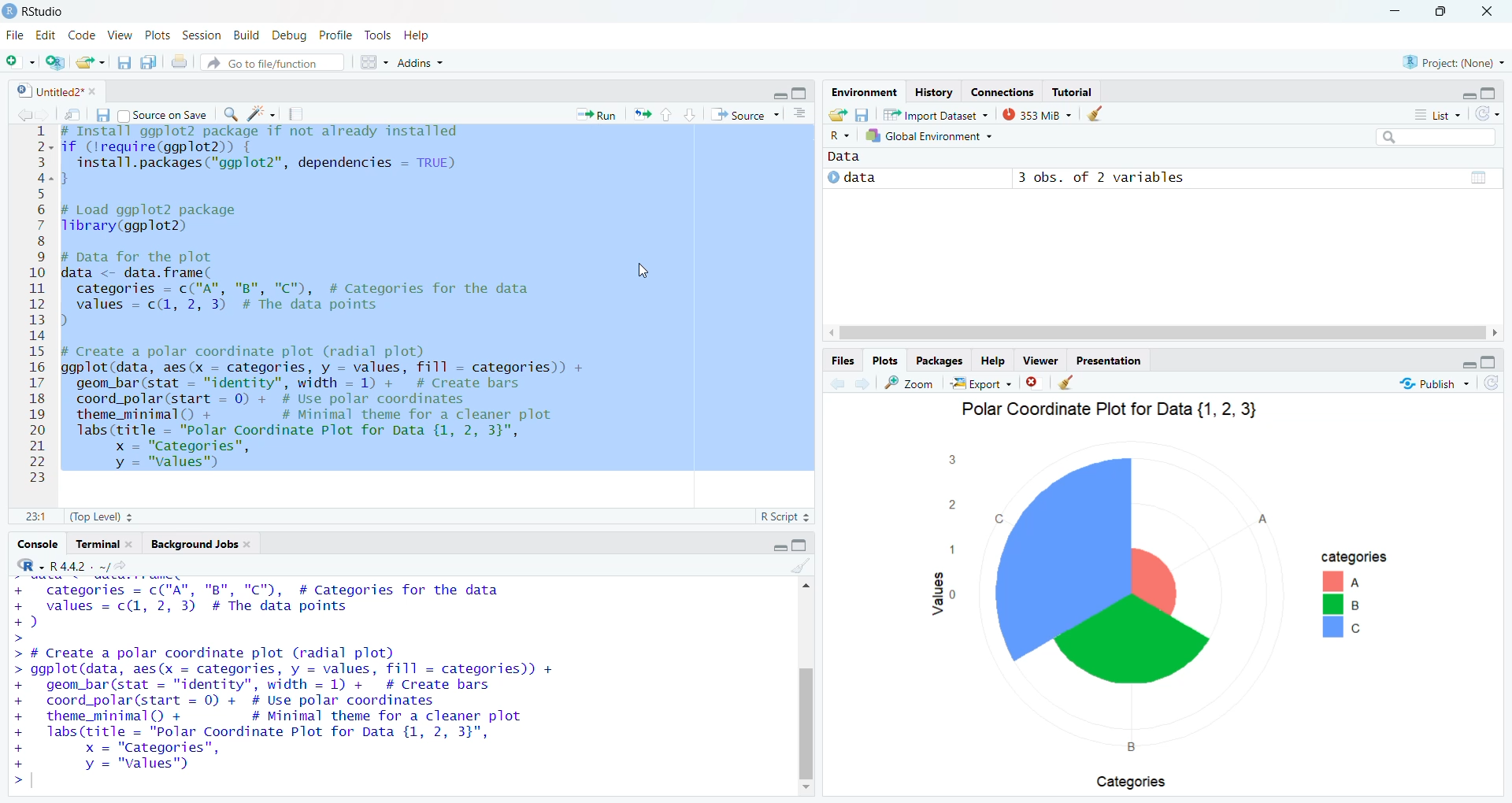  Describe the element at coordinates (148, 62) in the screenshot. I see `save all open documents` at that location.